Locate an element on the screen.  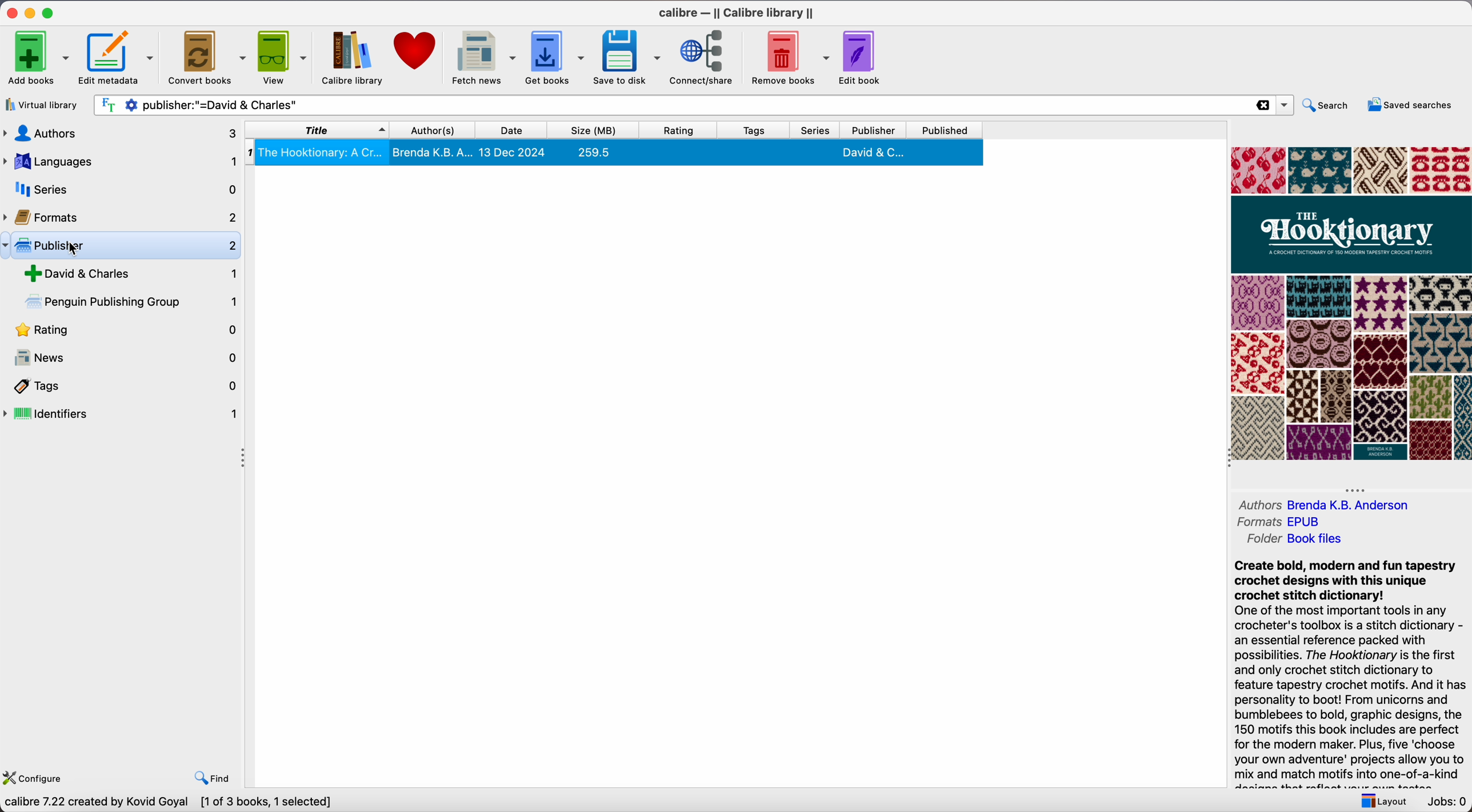
rating is located at coordinates (685, 130).